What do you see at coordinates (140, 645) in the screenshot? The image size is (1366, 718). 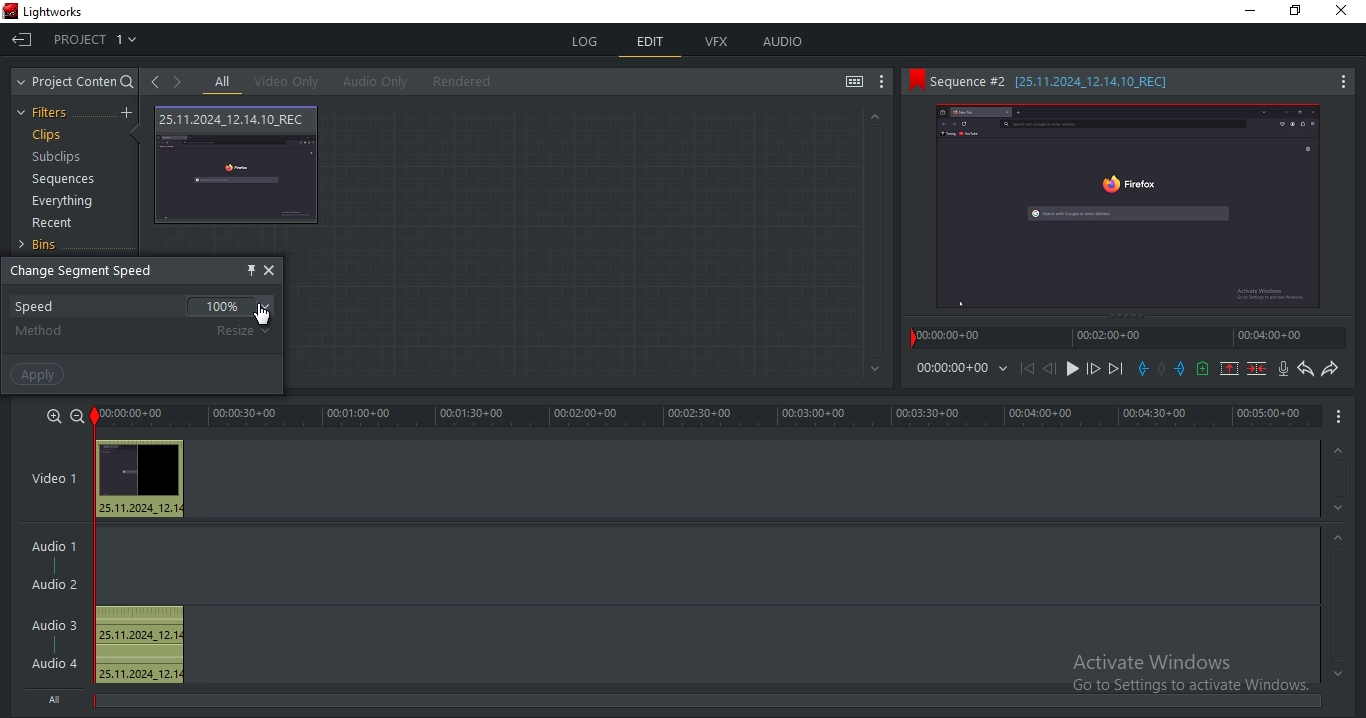 I see `audio` at bounding box center [140, 645].